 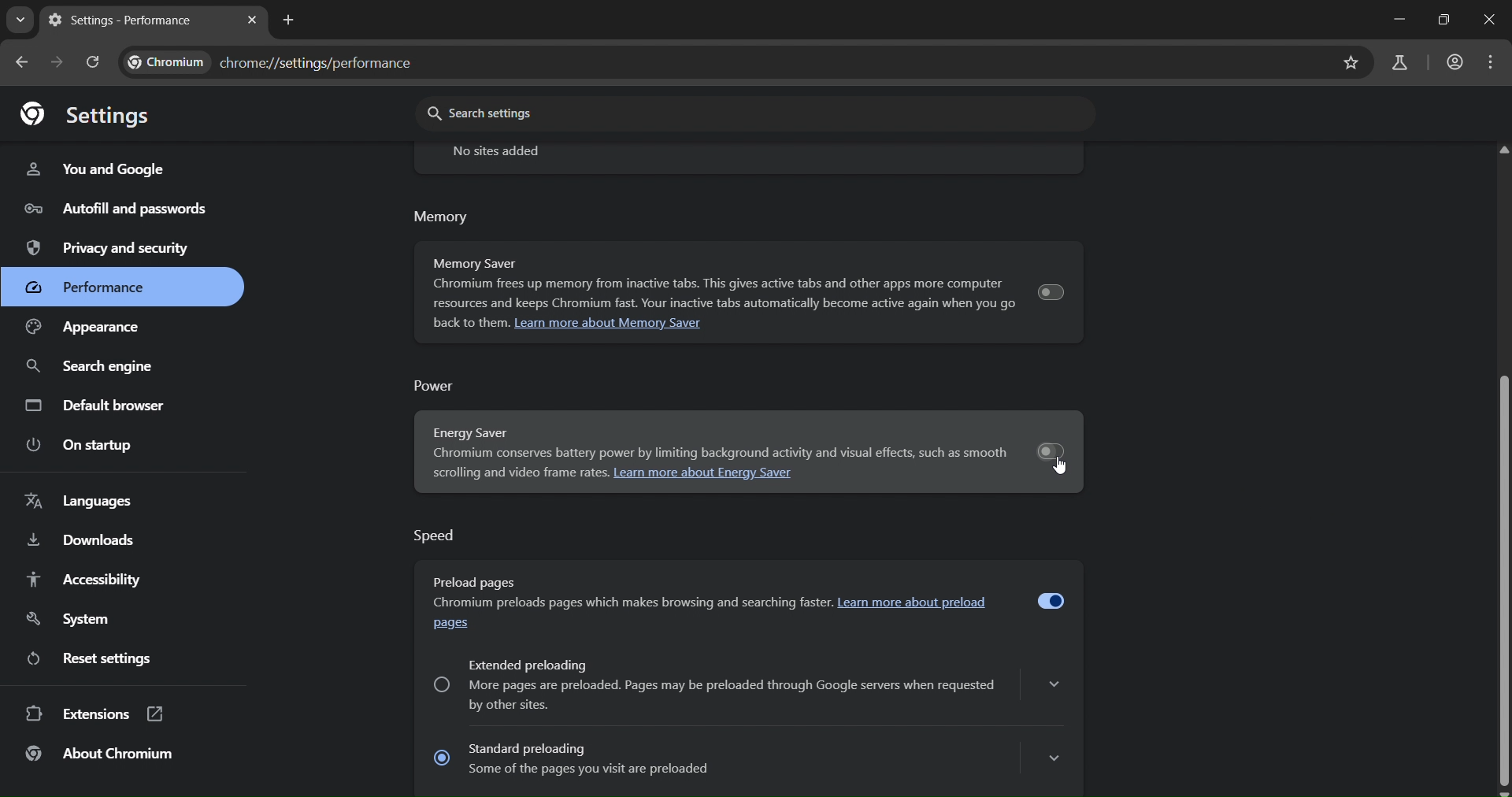 What do you see at coordinates (1486, 18) in the screenshot?
I see `close` at bounding box center [1486, 18].